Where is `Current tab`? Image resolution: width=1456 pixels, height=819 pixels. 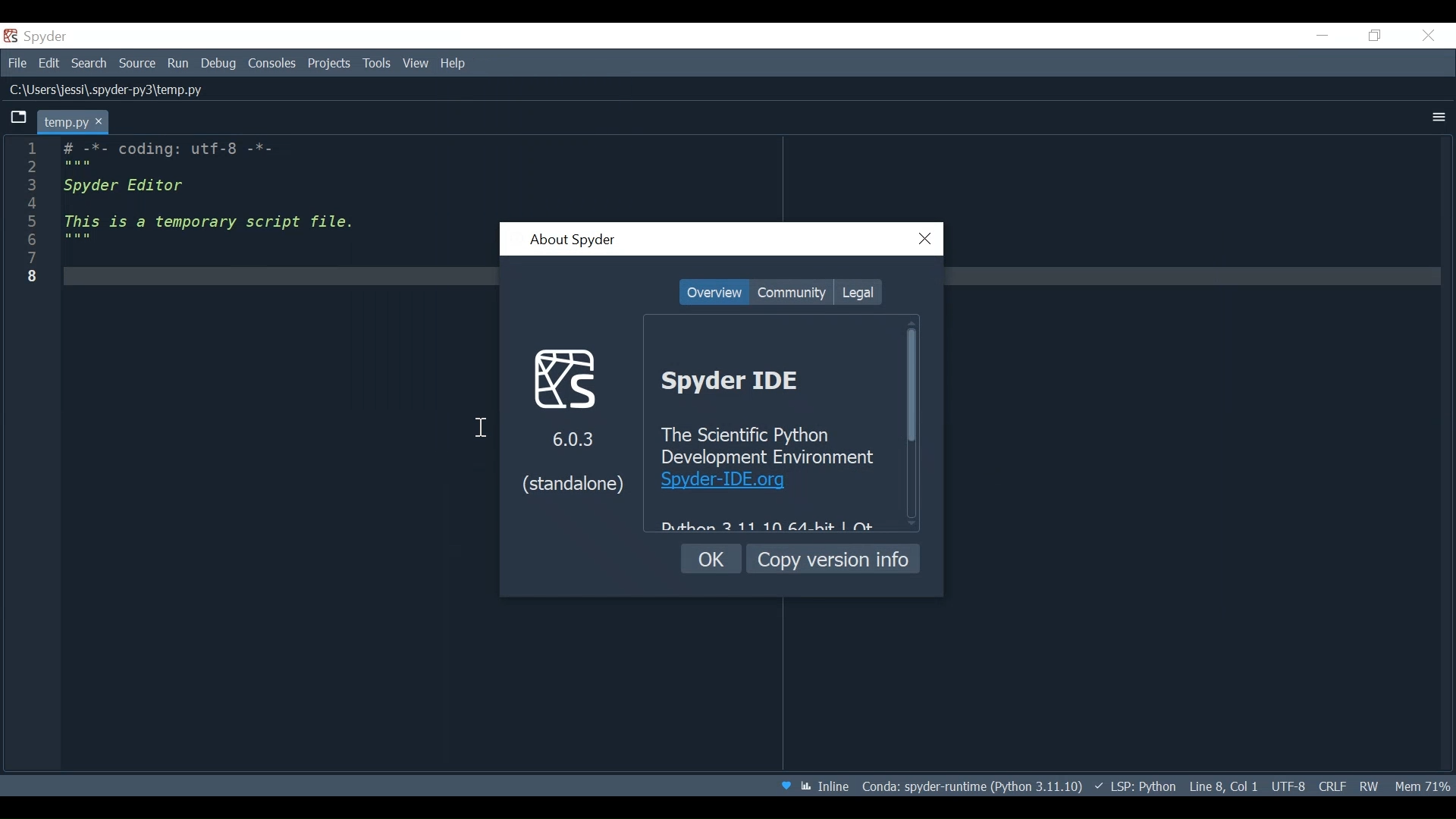 Current tab is located at coordinates (65, 121).